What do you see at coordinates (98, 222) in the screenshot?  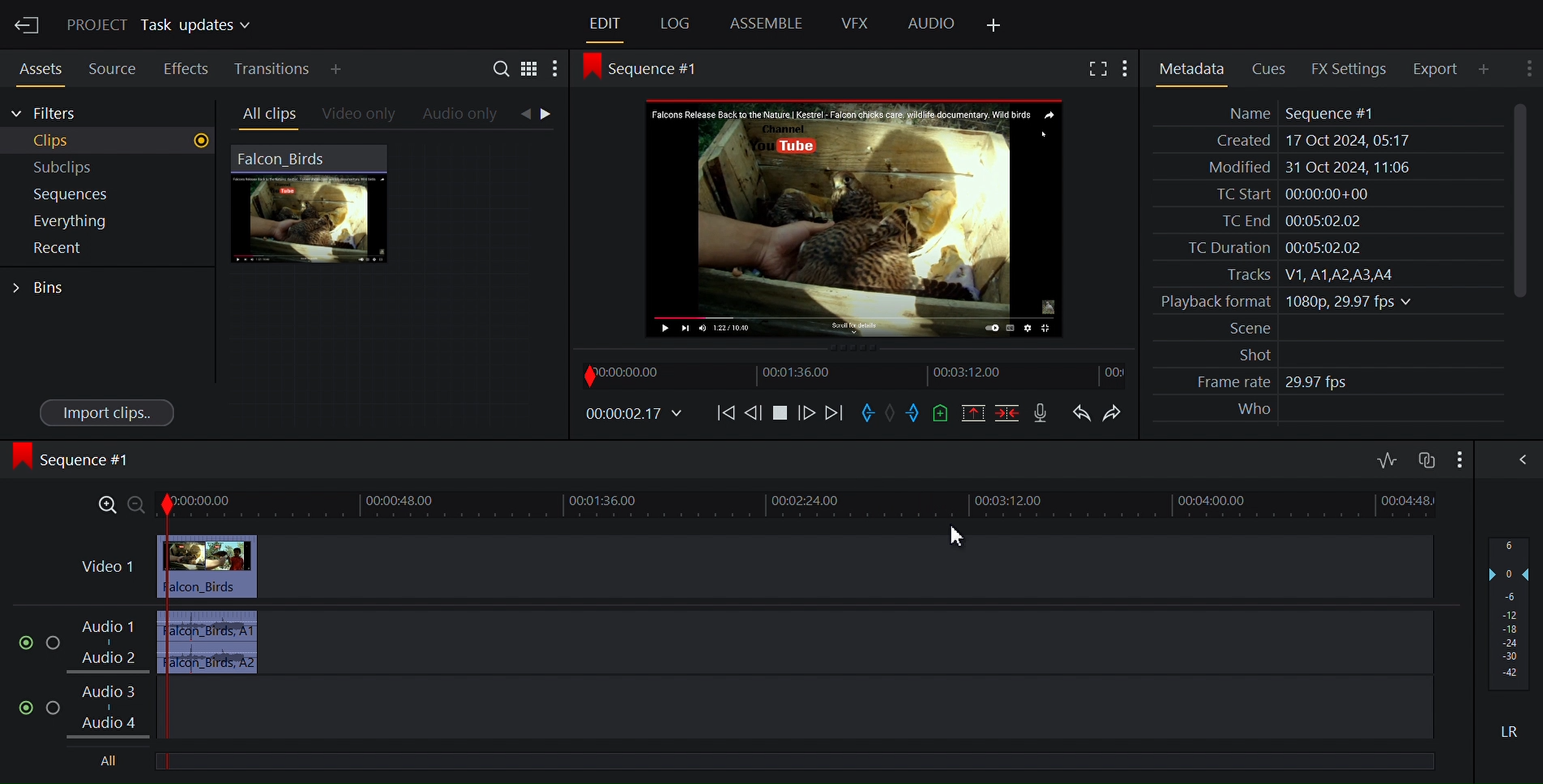 I see `Everything` at bounding box center [98, 222].